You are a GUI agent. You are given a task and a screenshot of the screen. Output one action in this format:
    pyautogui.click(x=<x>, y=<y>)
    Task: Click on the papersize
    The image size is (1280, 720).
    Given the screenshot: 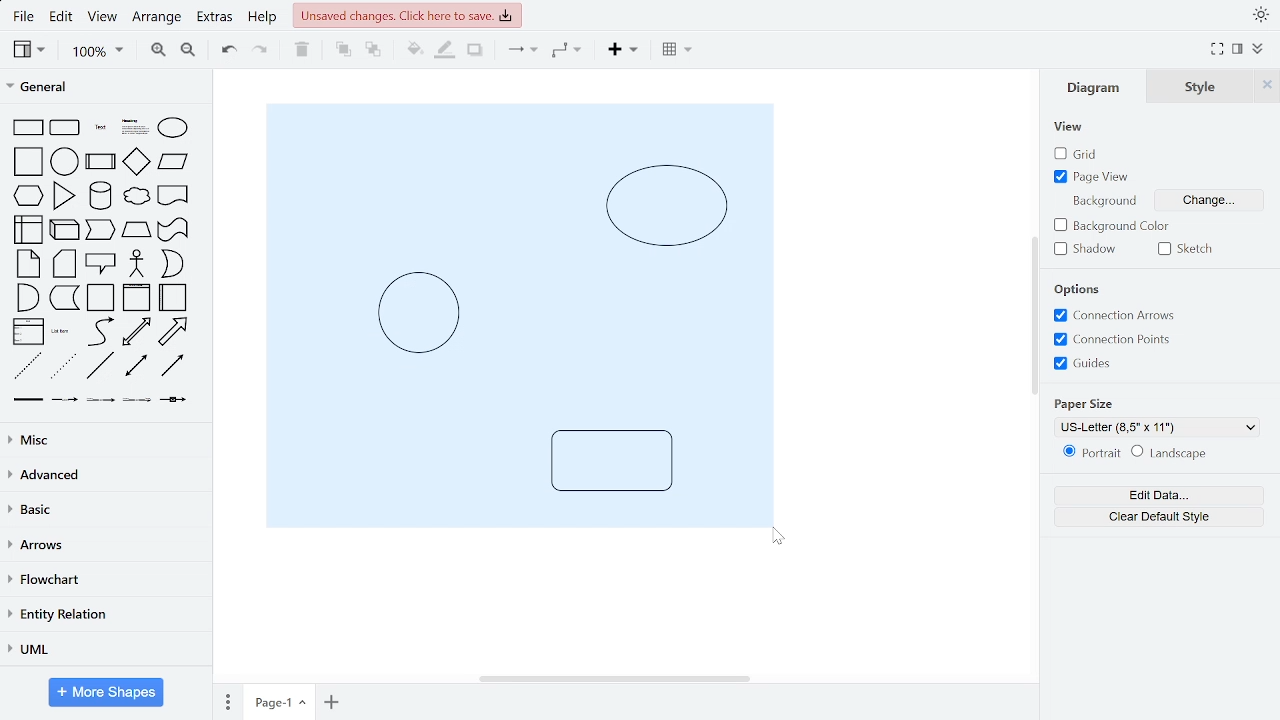 What is the action you would take?
    pyautogui.click(x=1082, y=404)
    